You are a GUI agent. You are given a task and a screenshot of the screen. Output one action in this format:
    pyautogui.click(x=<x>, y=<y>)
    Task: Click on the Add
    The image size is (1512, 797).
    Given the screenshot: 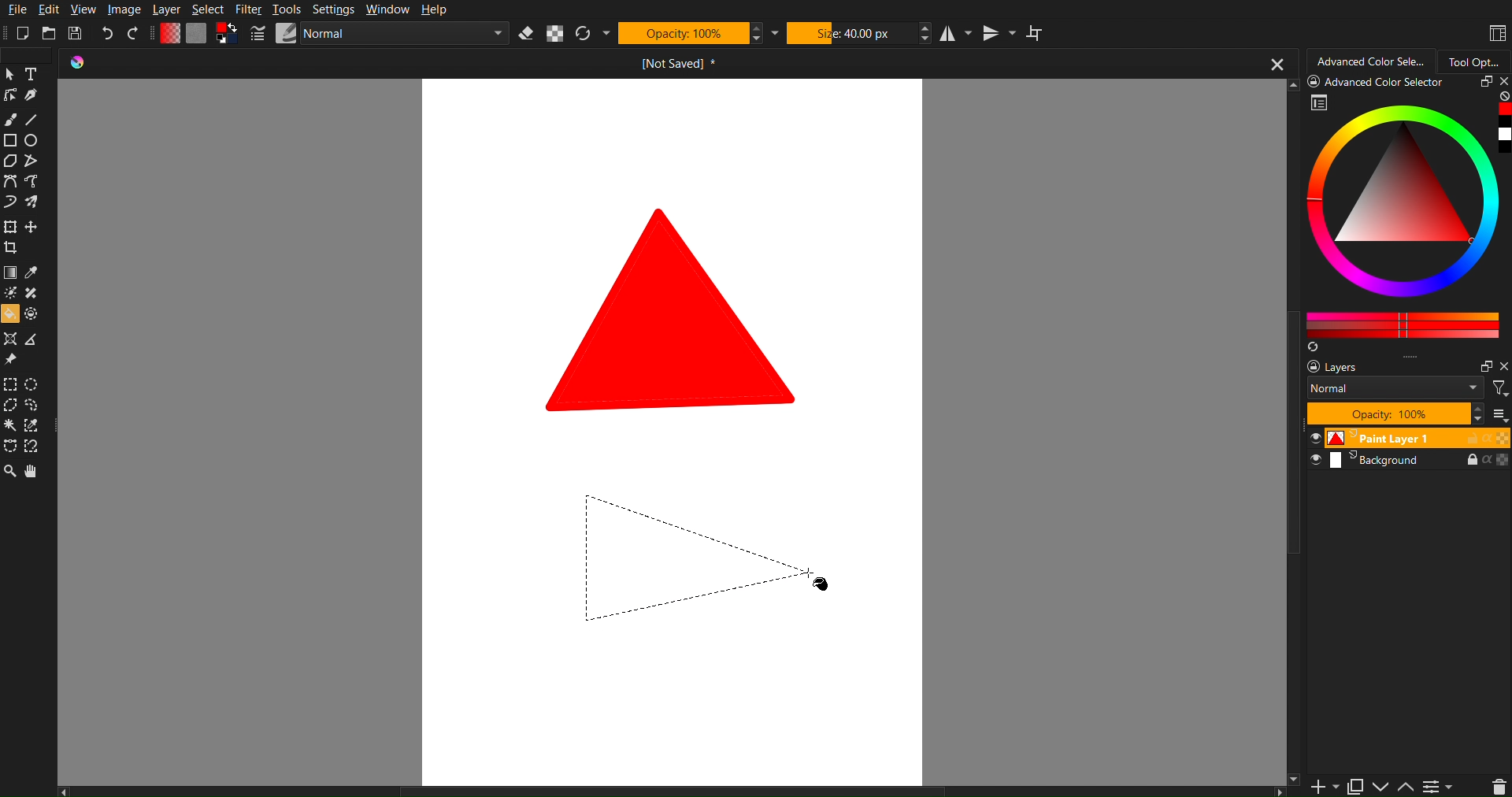 What is the action you would take?
    pyautogui.click(x=1320, y=787)
    